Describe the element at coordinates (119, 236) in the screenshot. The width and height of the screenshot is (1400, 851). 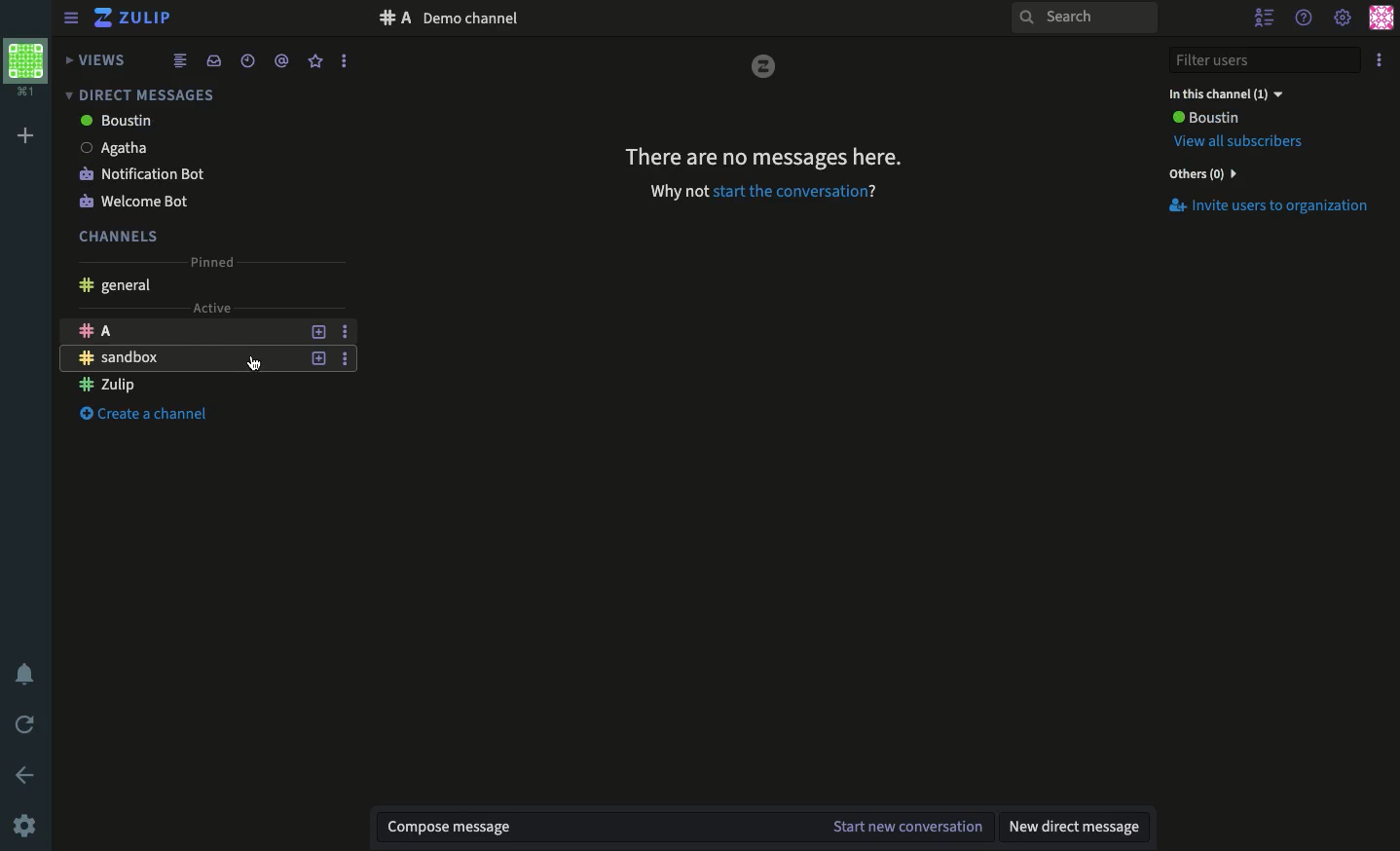
I see `Channels` at that location.